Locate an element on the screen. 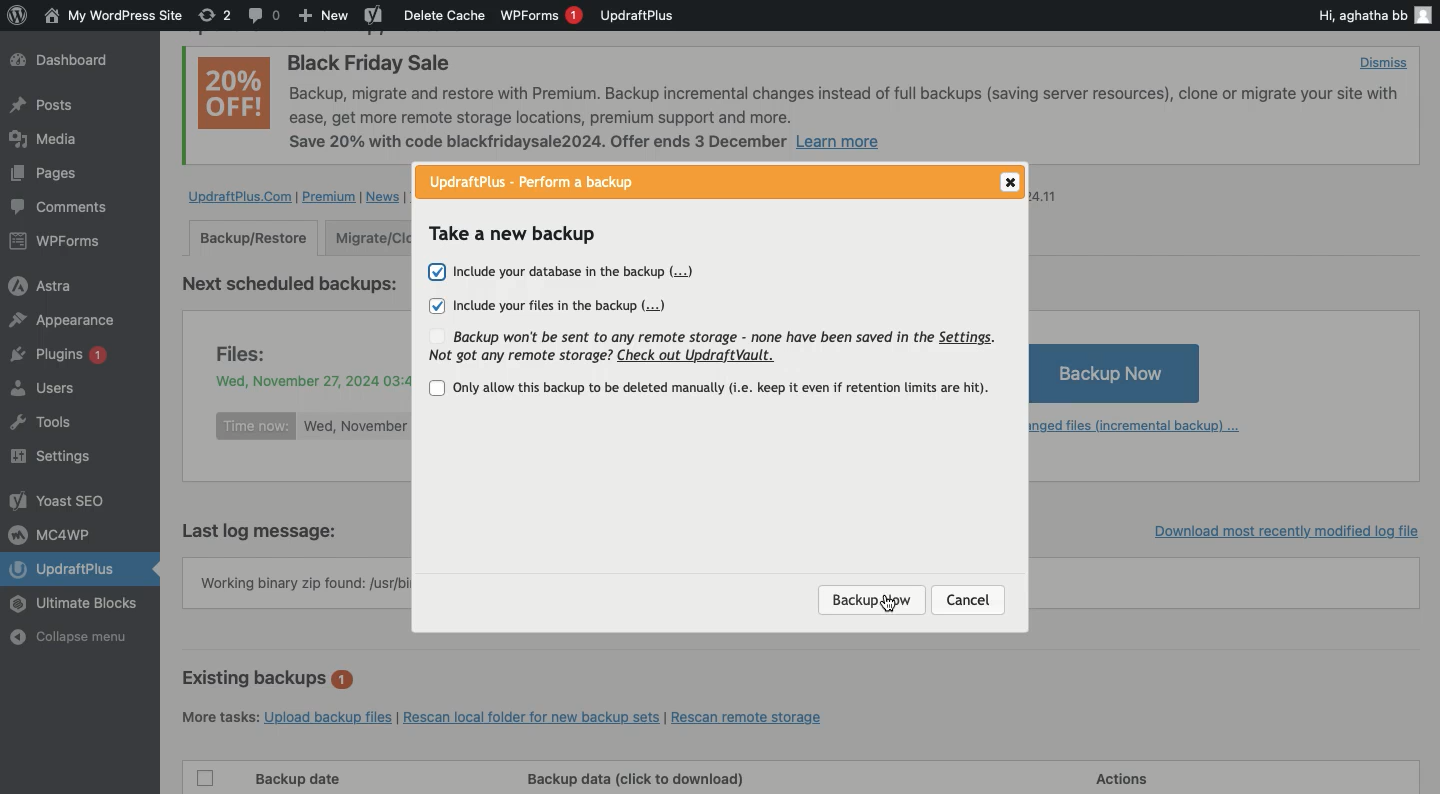 This screenshot has width=1440, height=794. Yoast is located at coordinates (372, 17).